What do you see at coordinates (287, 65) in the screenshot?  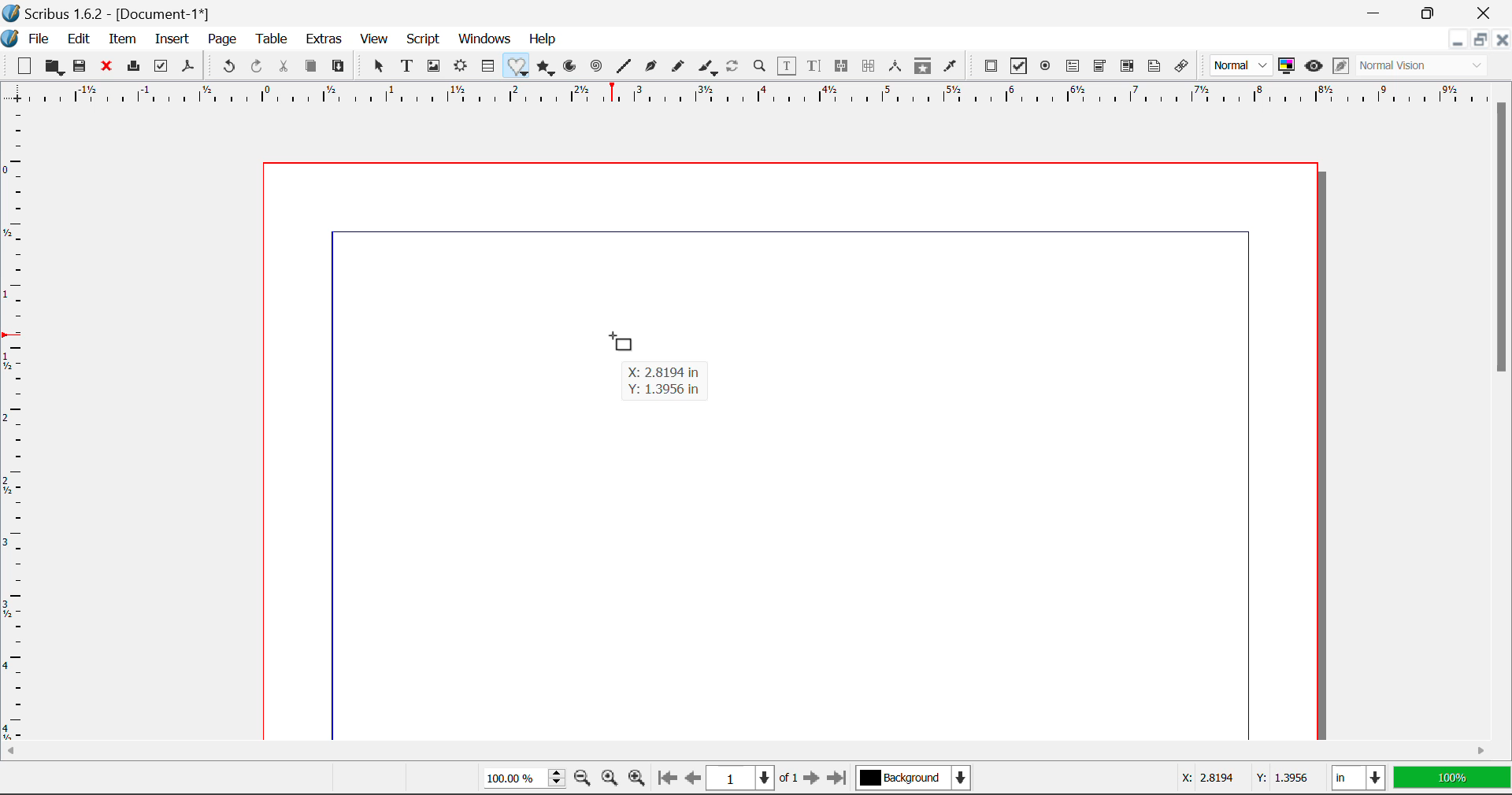 I see `Cut` at bounding box center [287, 65].